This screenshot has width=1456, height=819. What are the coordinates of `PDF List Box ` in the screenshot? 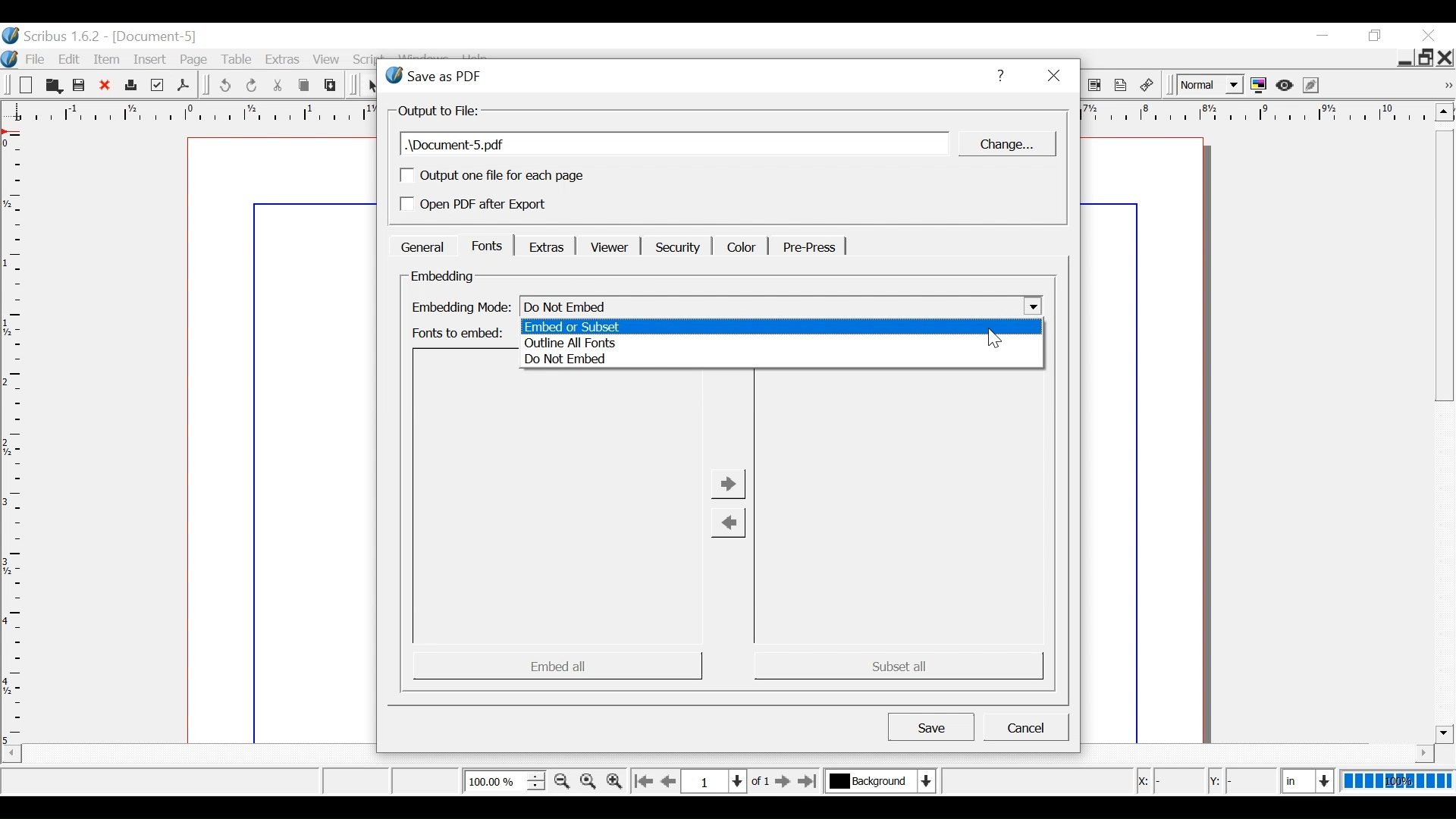 It's located at (1095, 86).